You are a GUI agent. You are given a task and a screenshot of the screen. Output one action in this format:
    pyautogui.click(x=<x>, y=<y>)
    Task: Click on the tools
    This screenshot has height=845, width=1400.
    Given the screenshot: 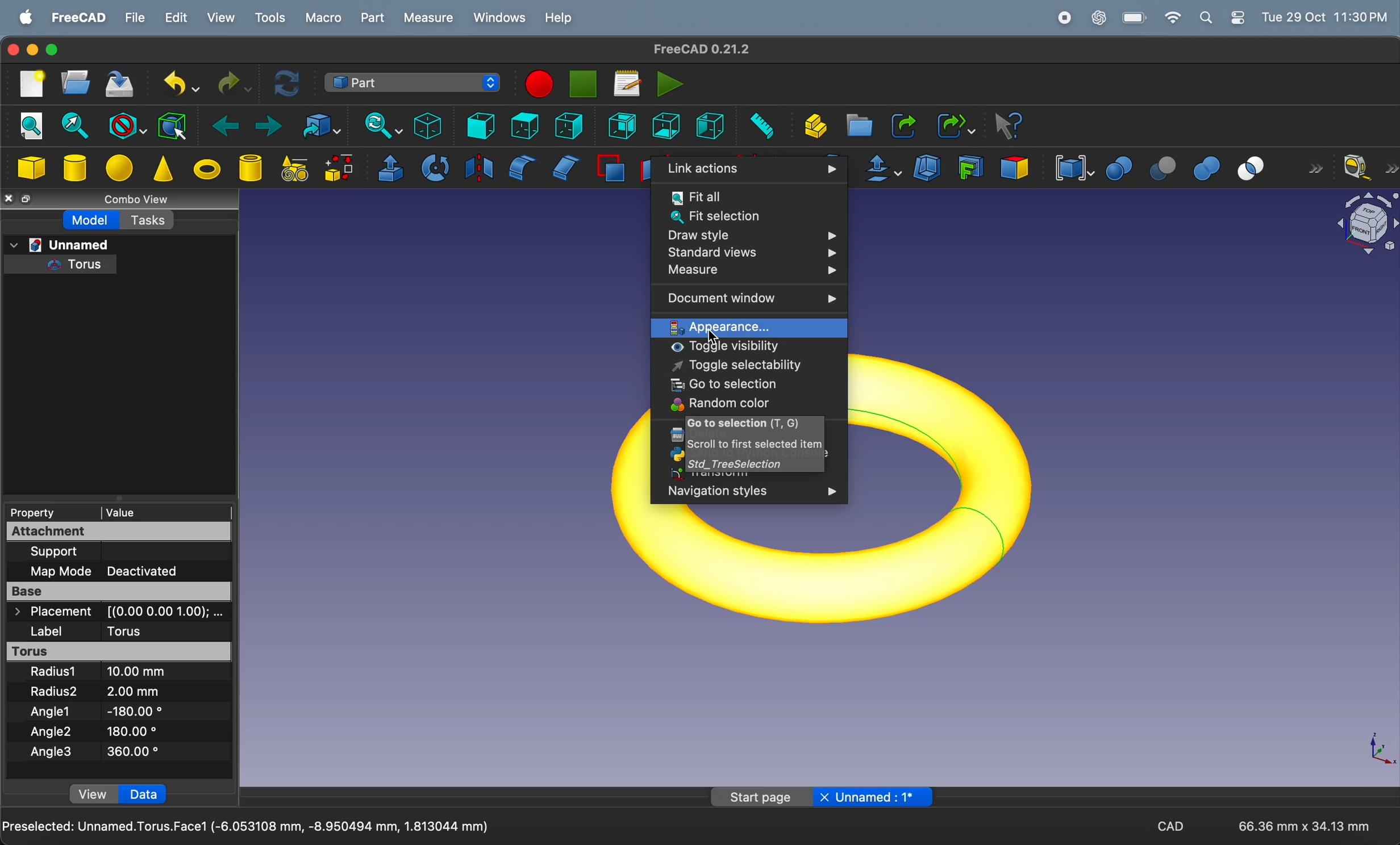 What is the action you would take?
    pyautogui.click(x=268, y=18)
    